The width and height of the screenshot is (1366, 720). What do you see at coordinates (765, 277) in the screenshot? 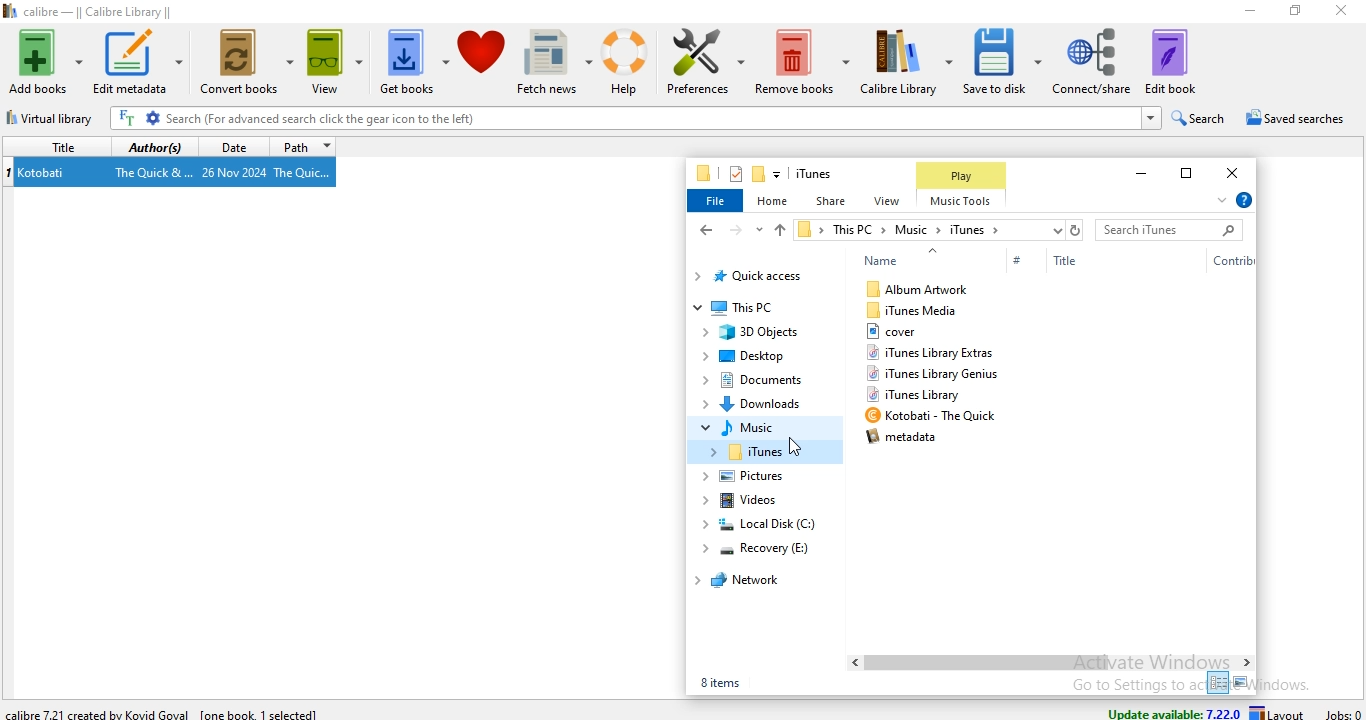
I see `quick access` at bounding box center [765, 277].